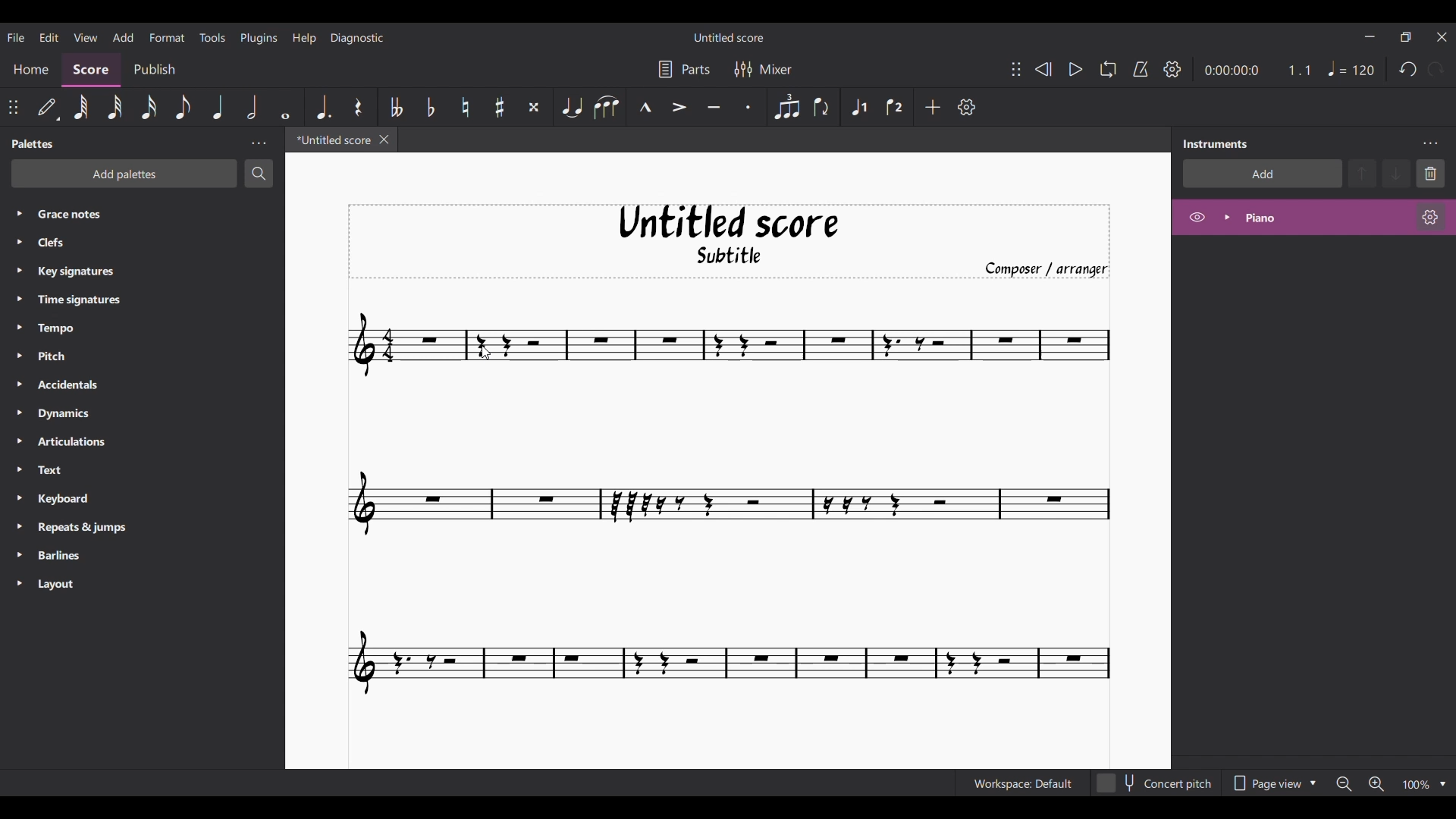 Image resolution: width=1456 pixels, height=819 pixels. I want to click on Current instrument, highlighted, so click(1326, 218).